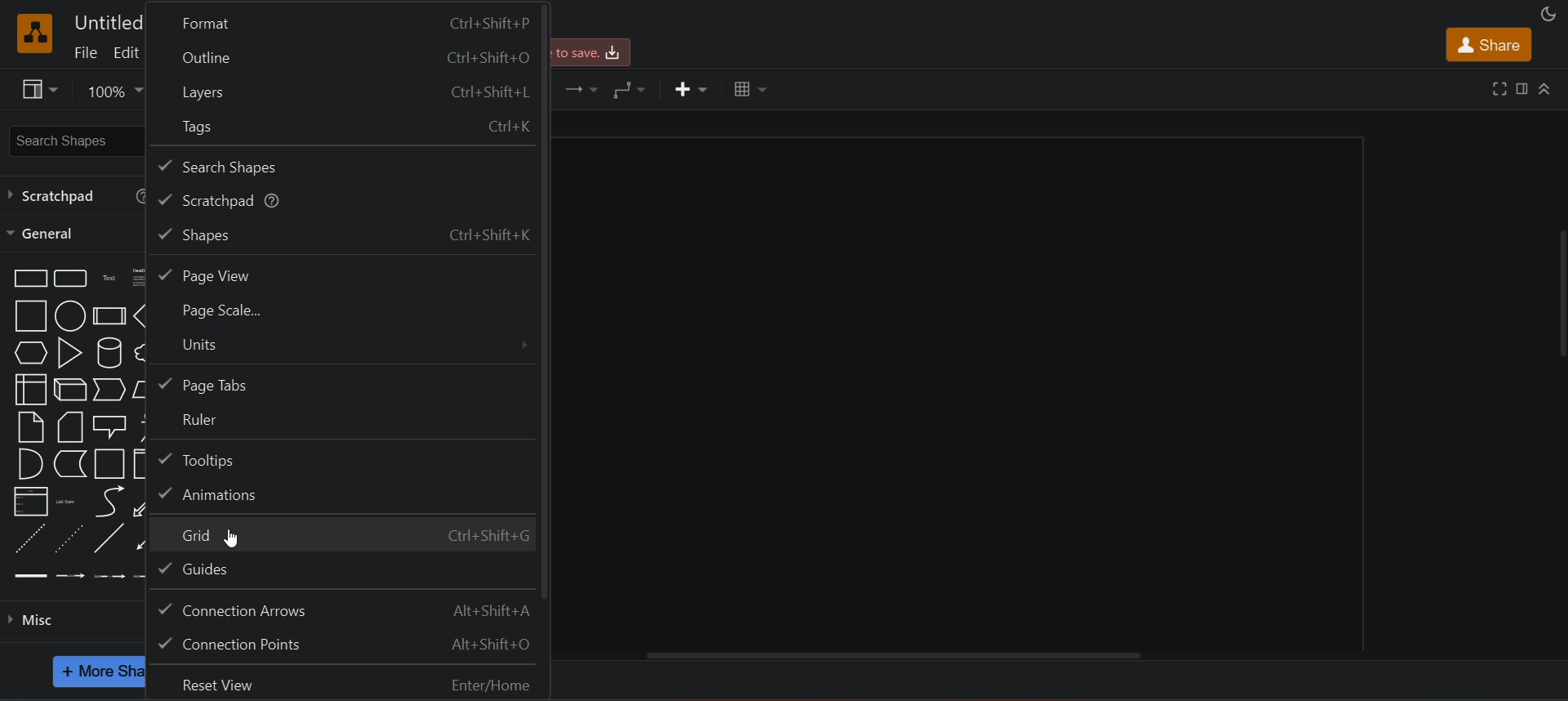 The height and width of the screenshot is (701, 1568). I want to click on animations, so click(349, 499).